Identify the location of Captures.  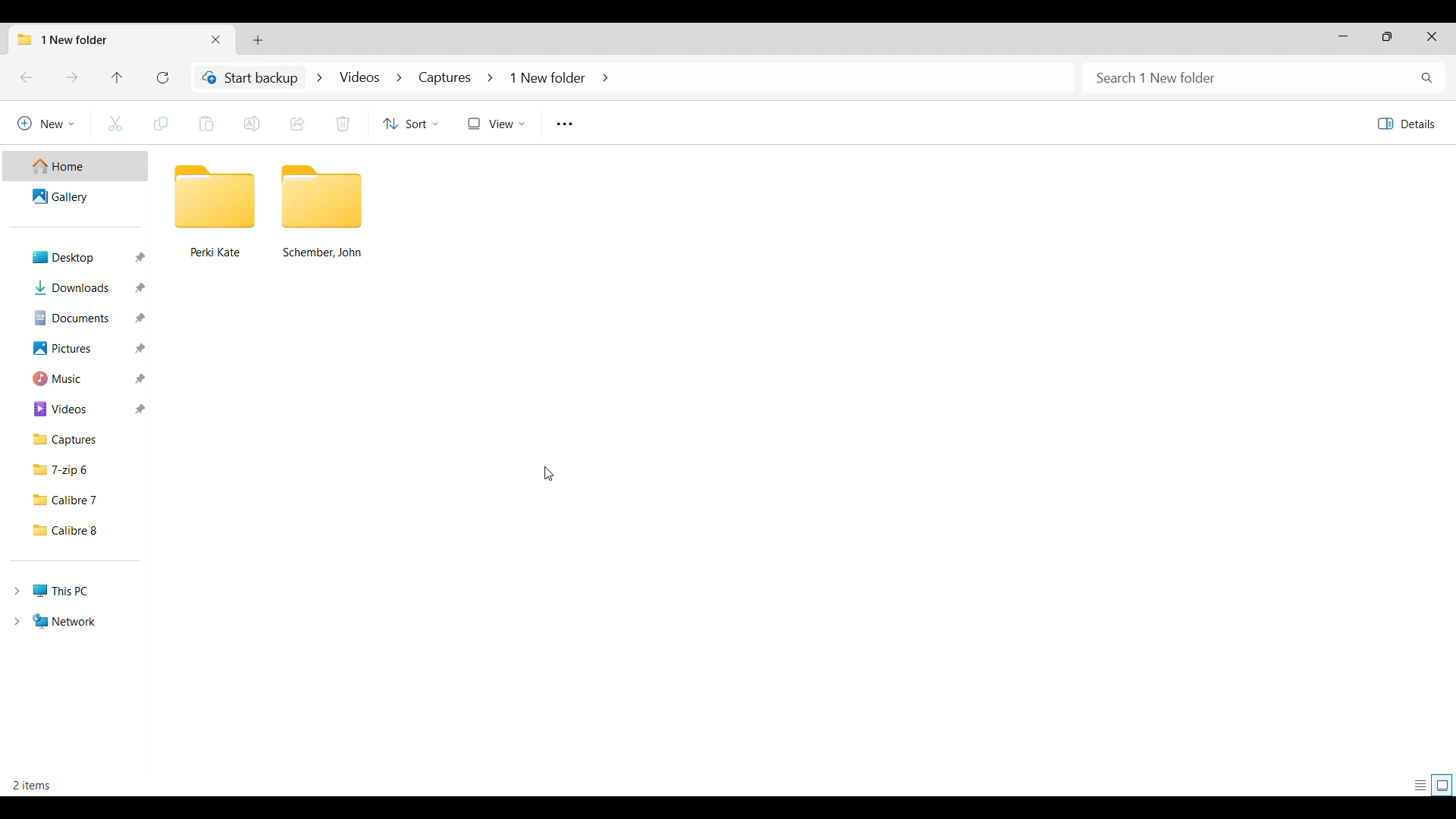
(80, 441).